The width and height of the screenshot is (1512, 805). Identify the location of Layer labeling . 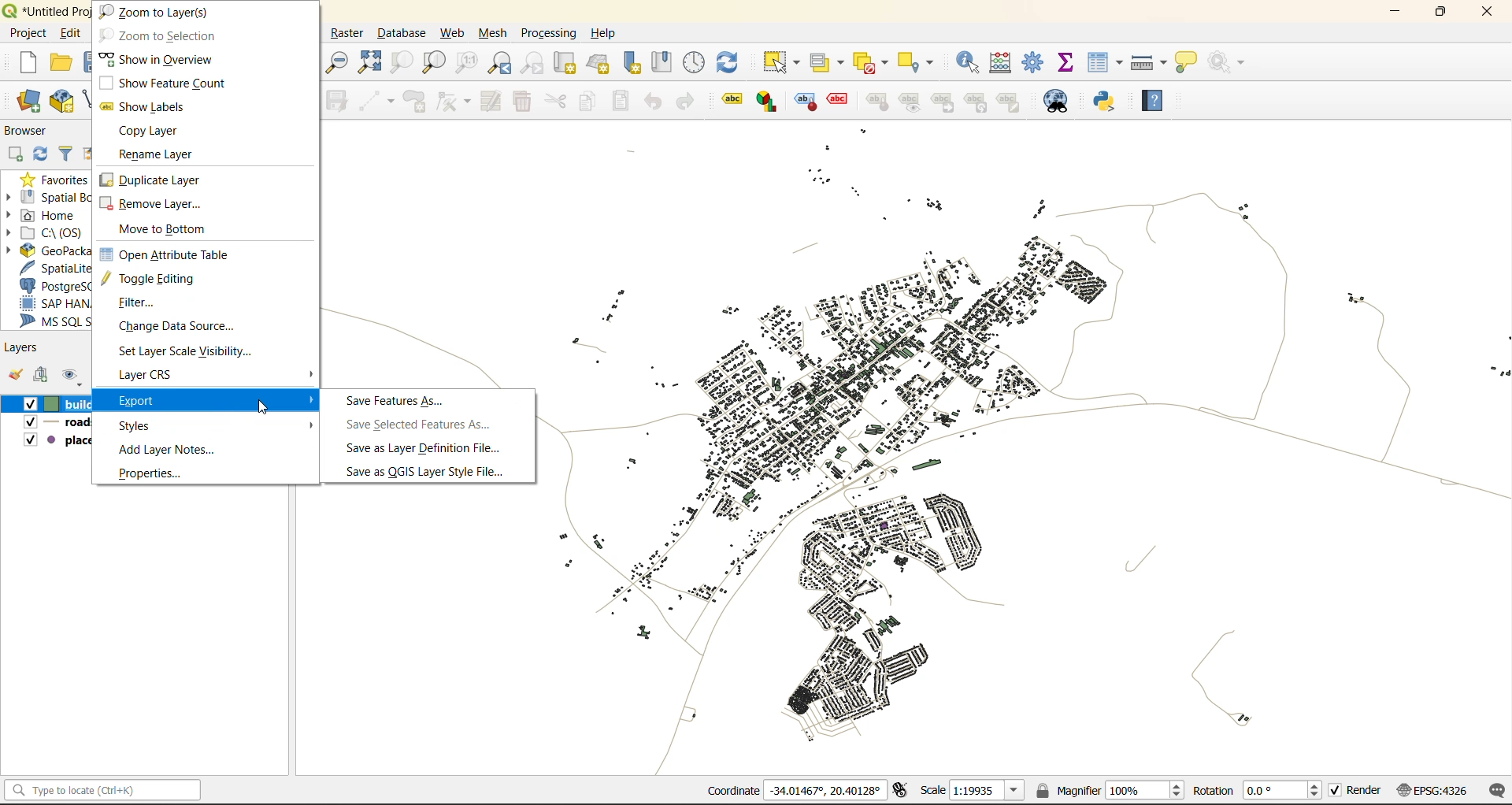
(732, 102).